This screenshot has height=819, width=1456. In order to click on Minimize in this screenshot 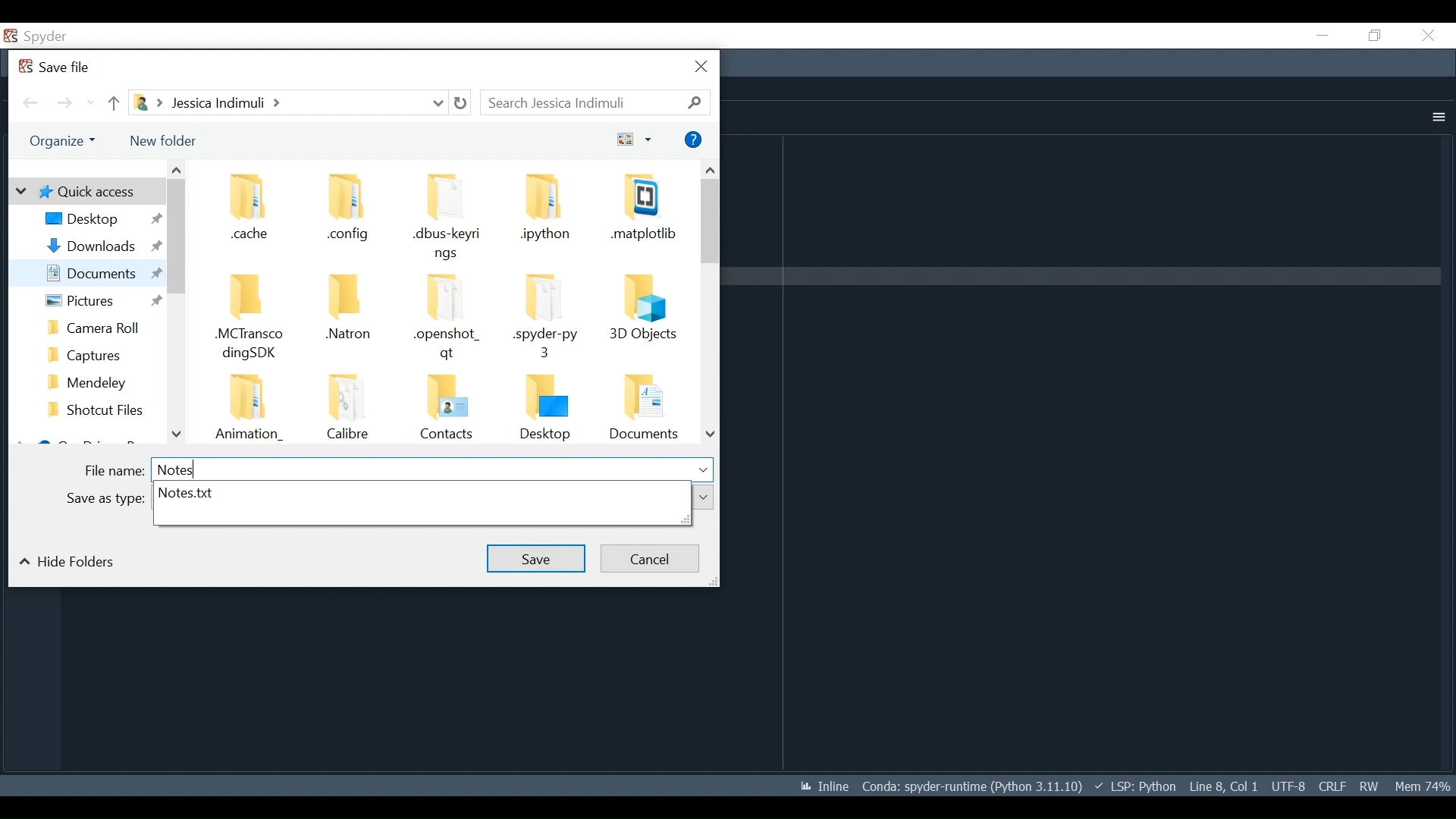, I will do `click(1321, 35)`.